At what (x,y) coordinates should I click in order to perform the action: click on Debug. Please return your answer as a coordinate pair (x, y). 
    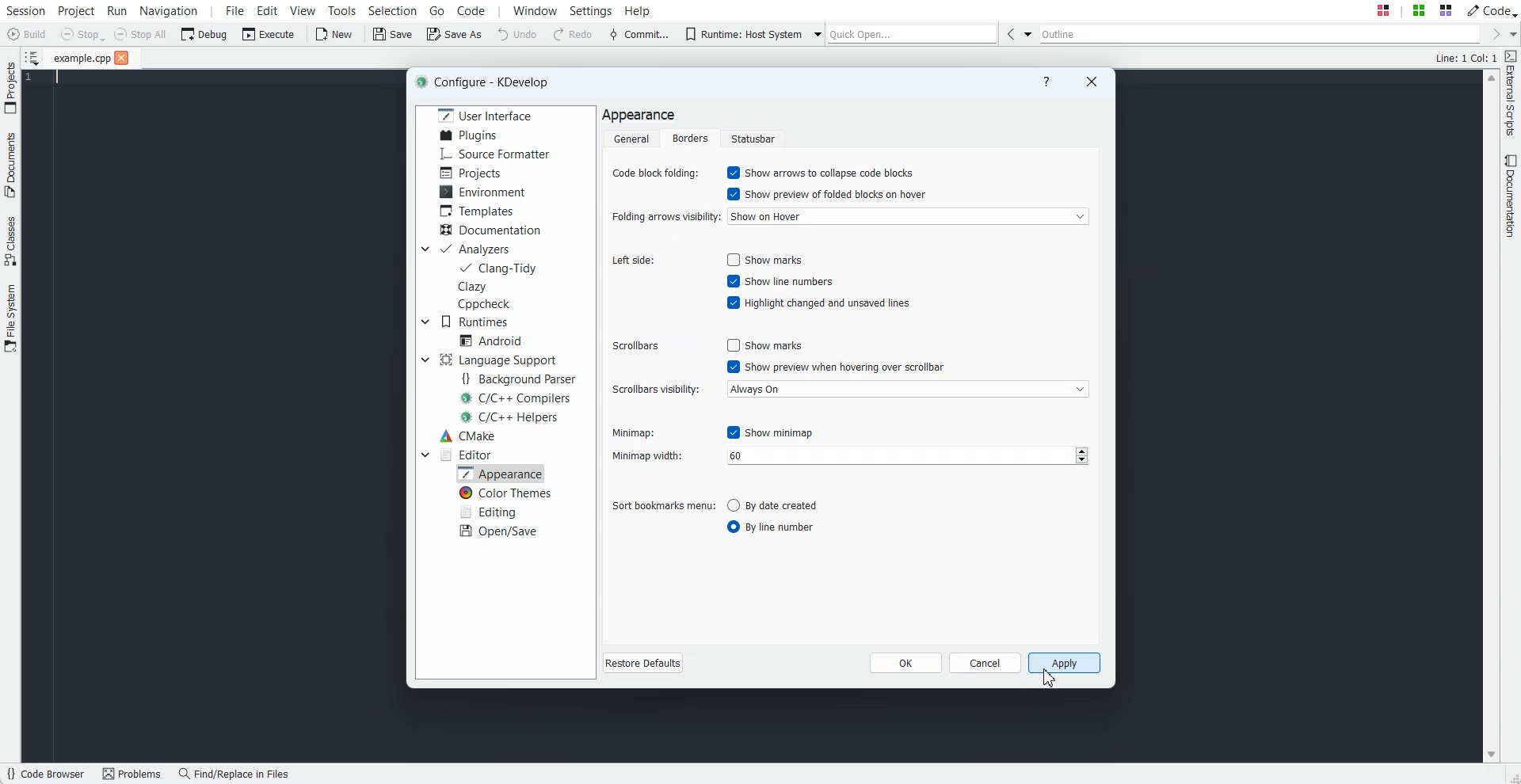
    Looking at the image, I should click on (204, 34).